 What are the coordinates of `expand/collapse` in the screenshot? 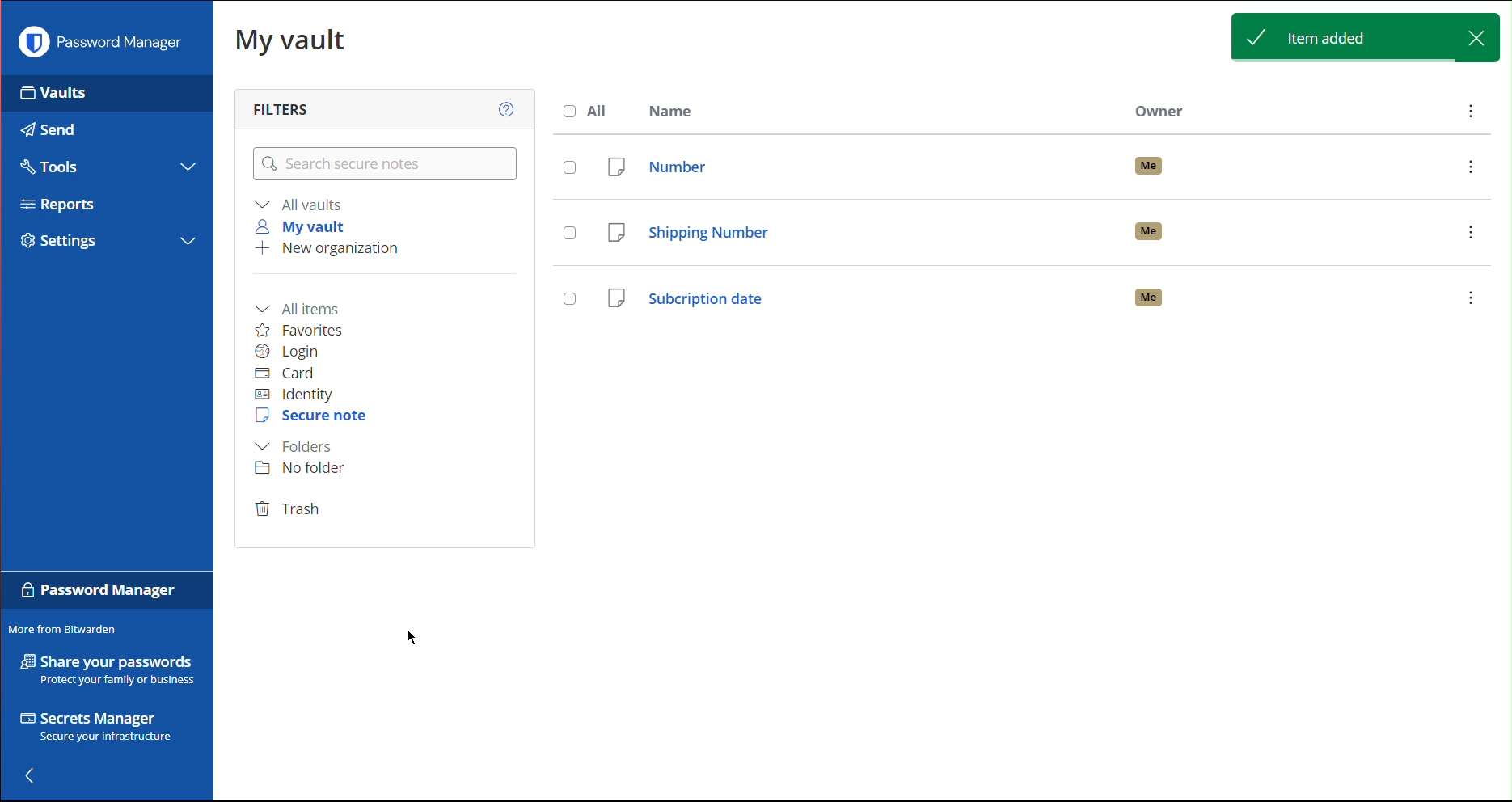 It's located at (188, 167).